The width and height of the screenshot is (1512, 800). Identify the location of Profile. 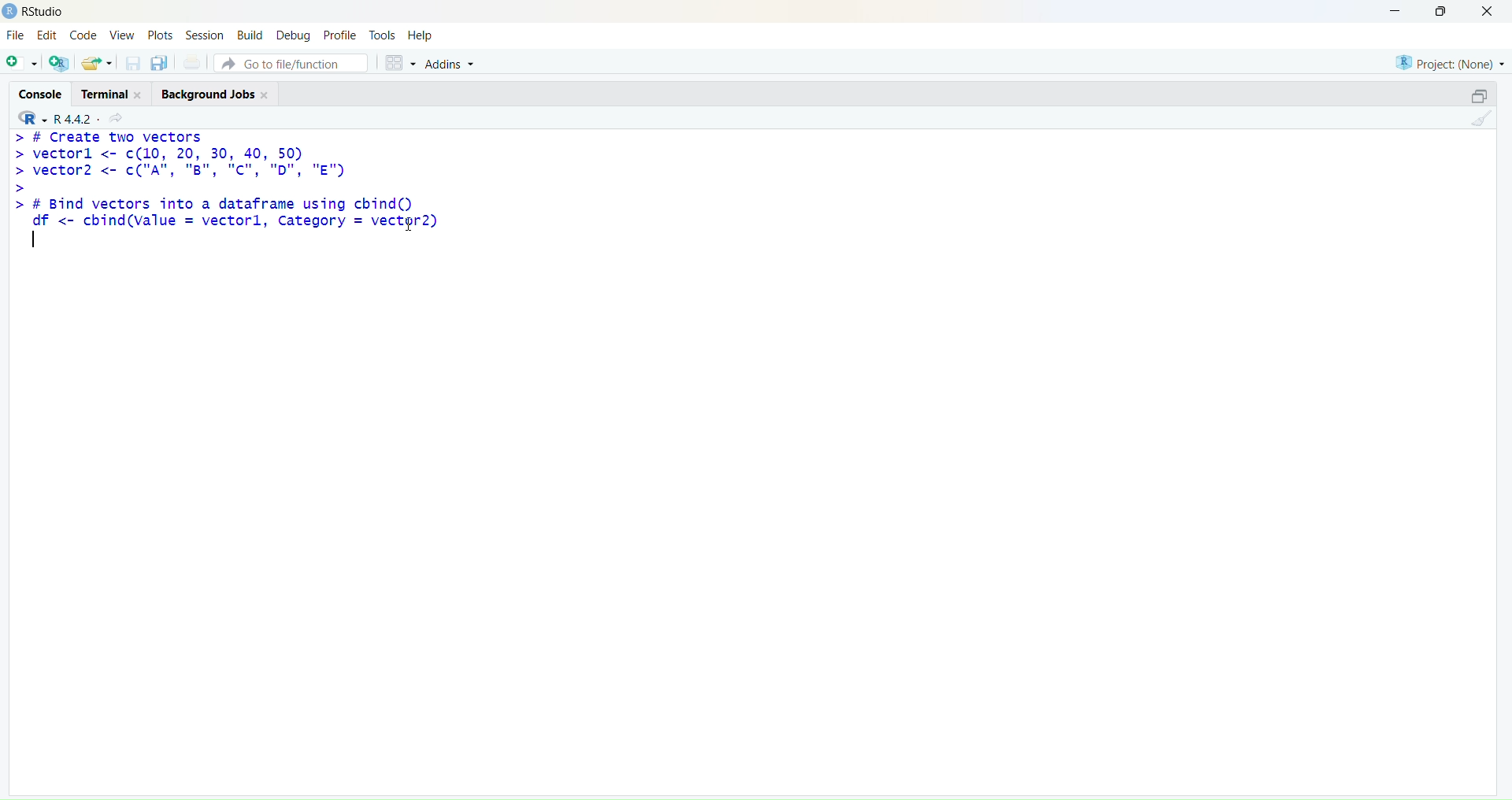
(339, 34).